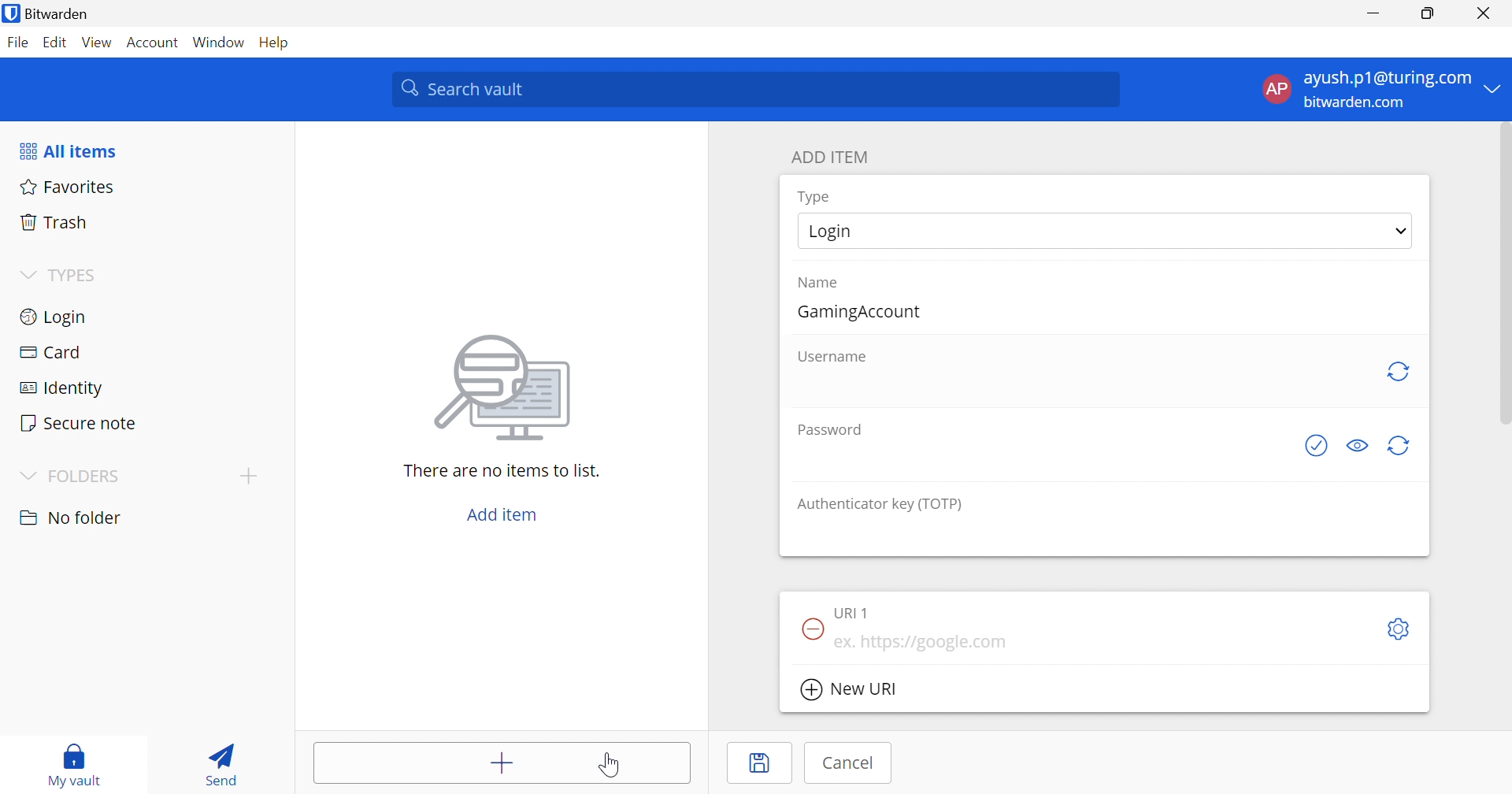 The height and width of the screenshot is (794, 1512). Describe the element at coordinates (100, 43) in the screenshot. I see `View` at that location.